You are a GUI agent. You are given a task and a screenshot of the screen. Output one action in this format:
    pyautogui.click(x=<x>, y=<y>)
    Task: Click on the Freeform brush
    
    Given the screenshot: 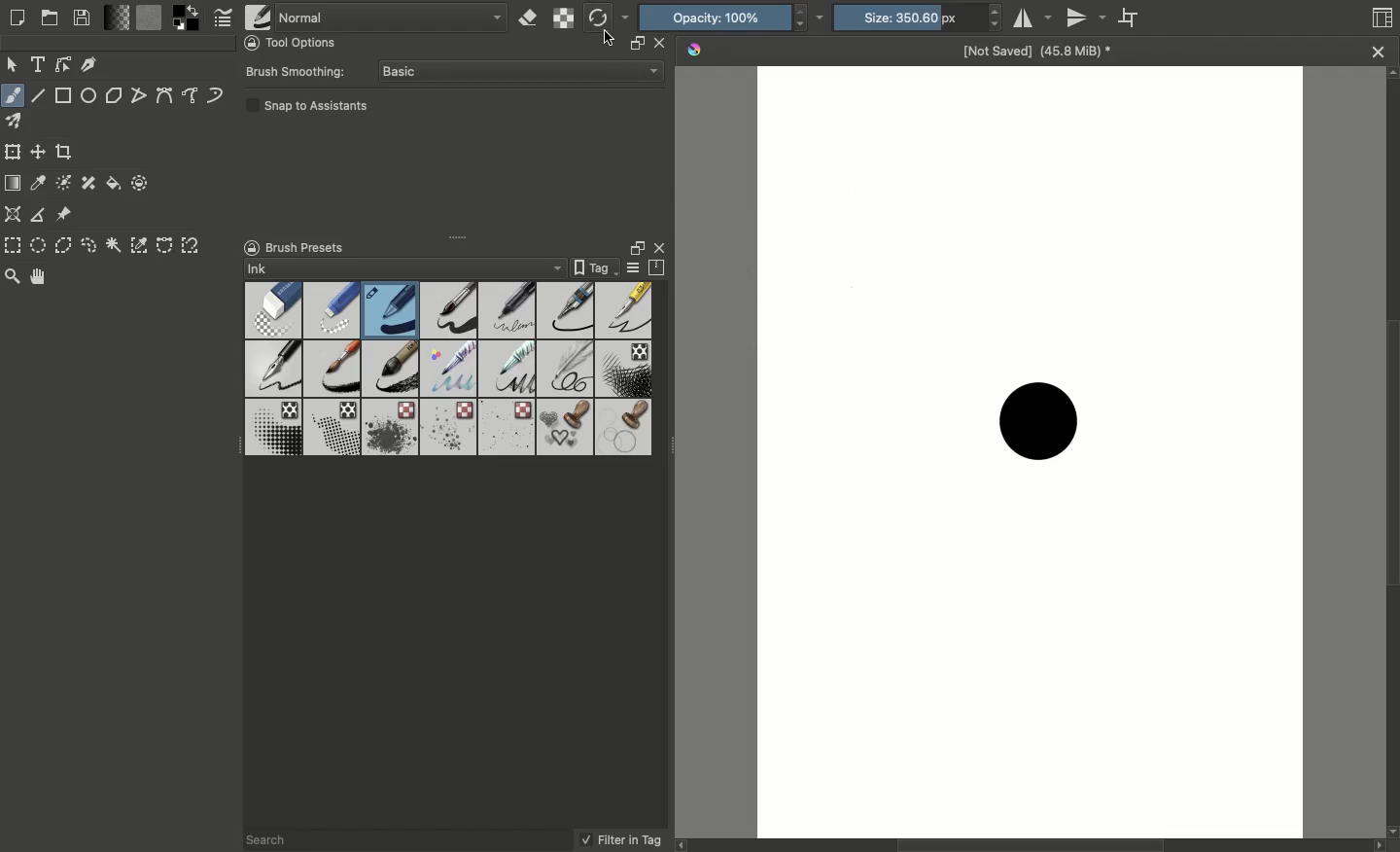 What is the action you would take?
    pyautogui.click(x=13, y=92)
    